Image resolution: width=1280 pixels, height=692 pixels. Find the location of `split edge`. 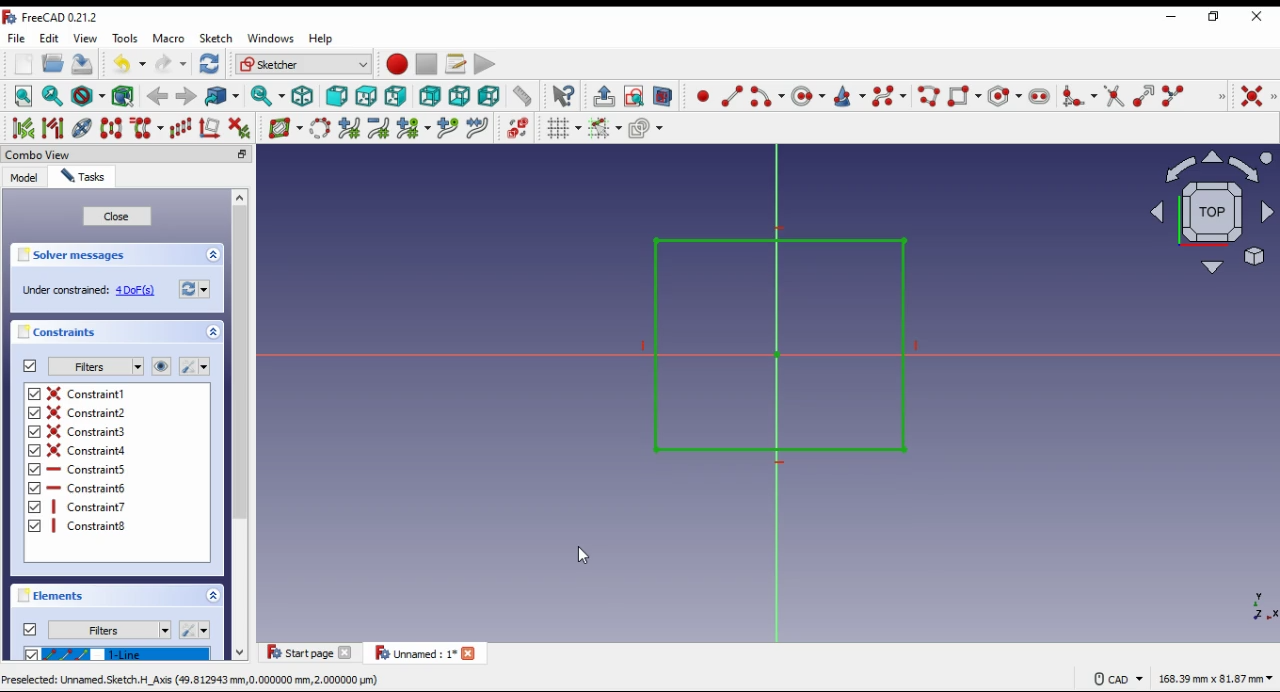

split edge is located at coordinates (1174, 94).